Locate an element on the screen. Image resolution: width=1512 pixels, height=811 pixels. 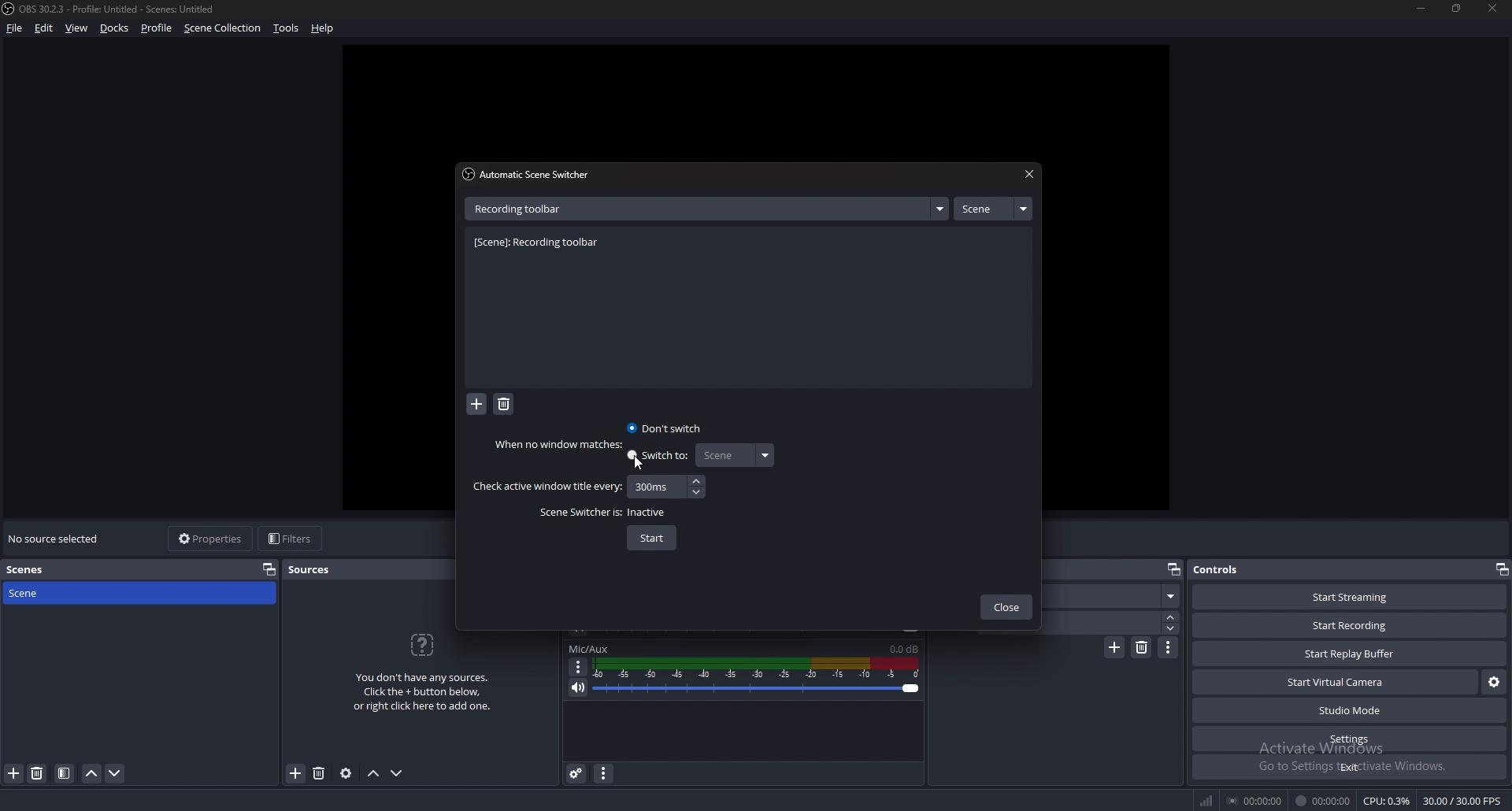
scene swithcer is: inactive is located at coordinates (605, 513).